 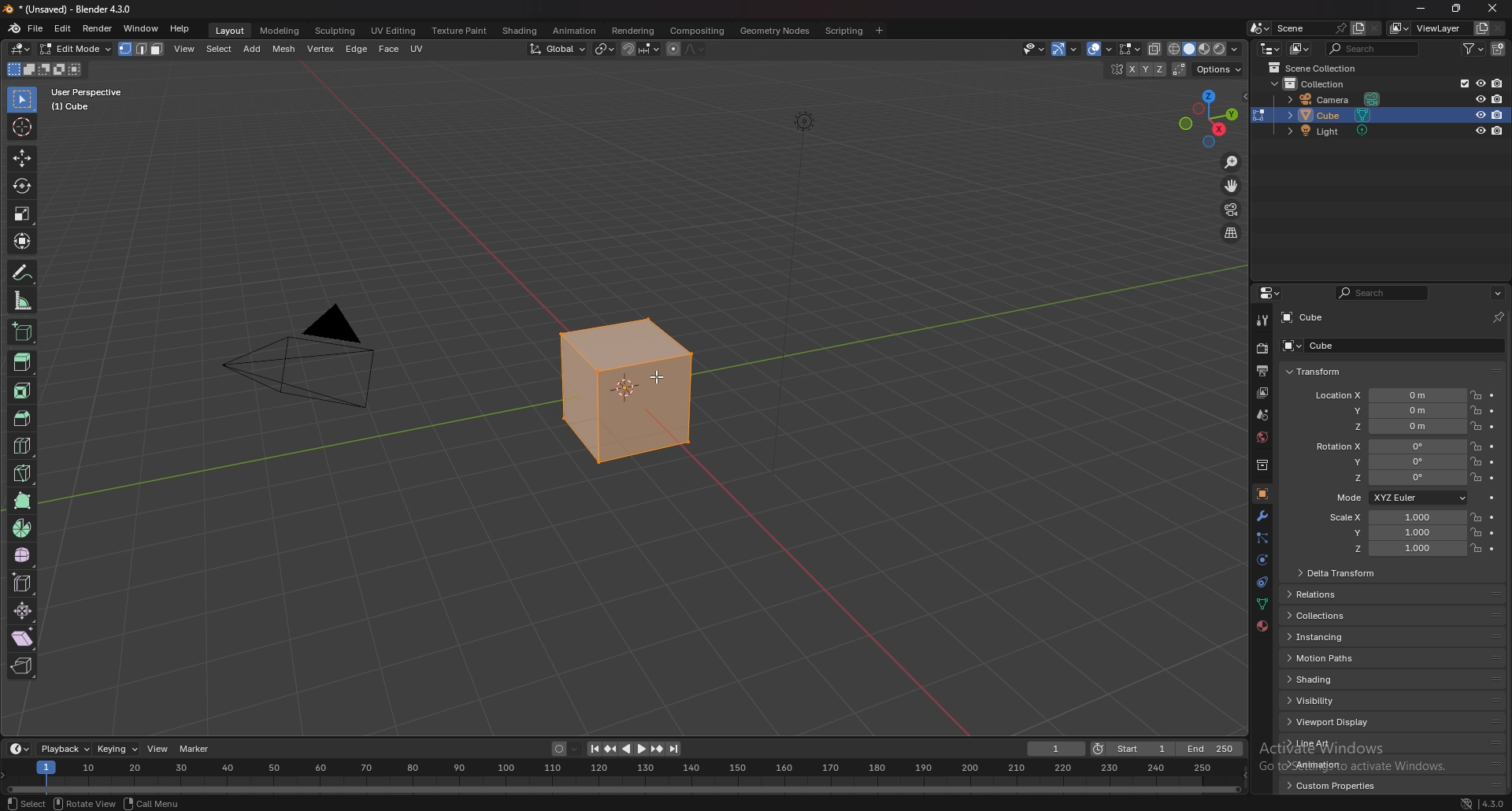 I want to click on change object, so click(x=1257, y=115).